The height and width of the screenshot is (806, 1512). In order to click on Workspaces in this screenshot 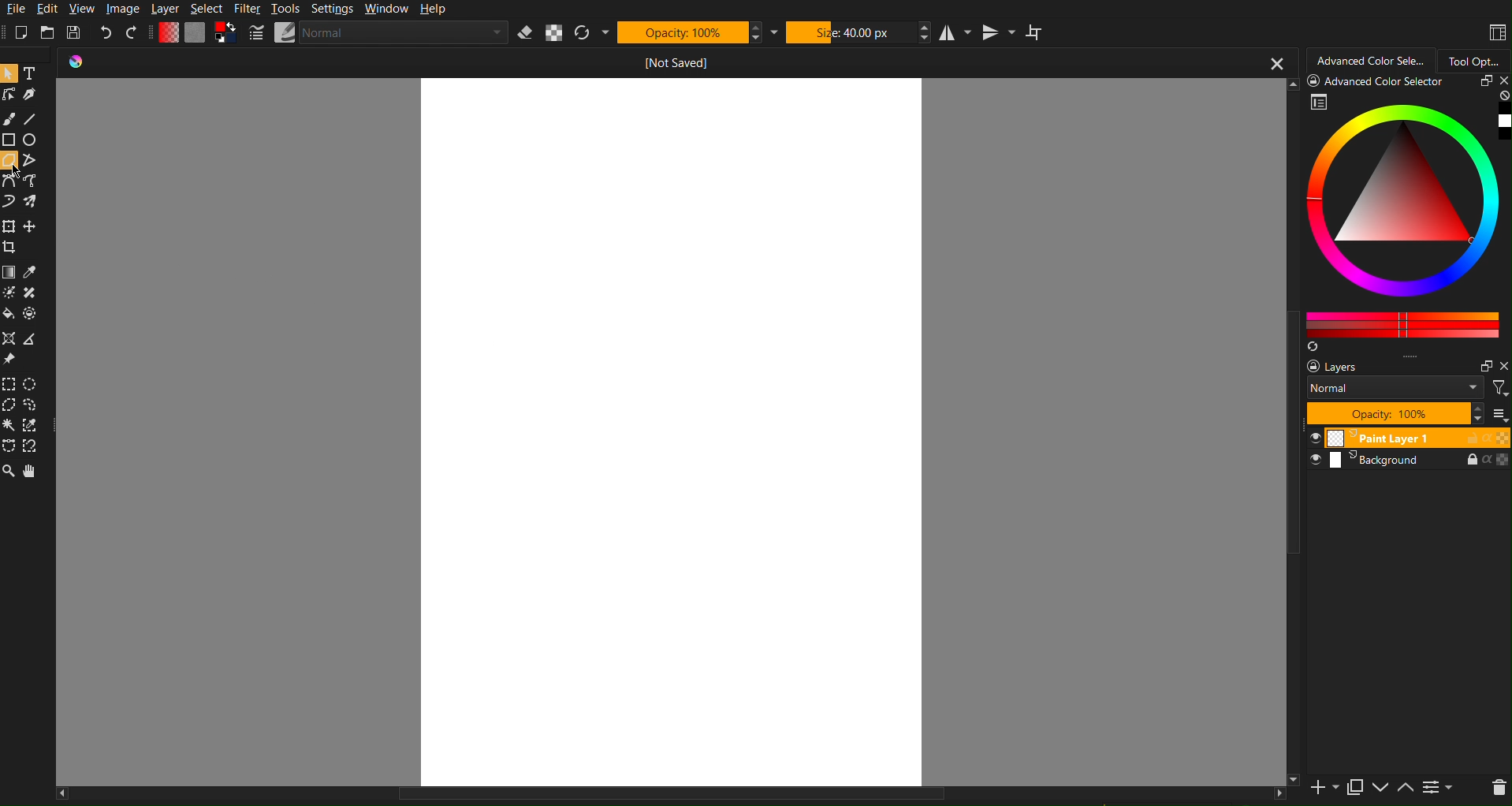, I will do `click(1496, 32)`.